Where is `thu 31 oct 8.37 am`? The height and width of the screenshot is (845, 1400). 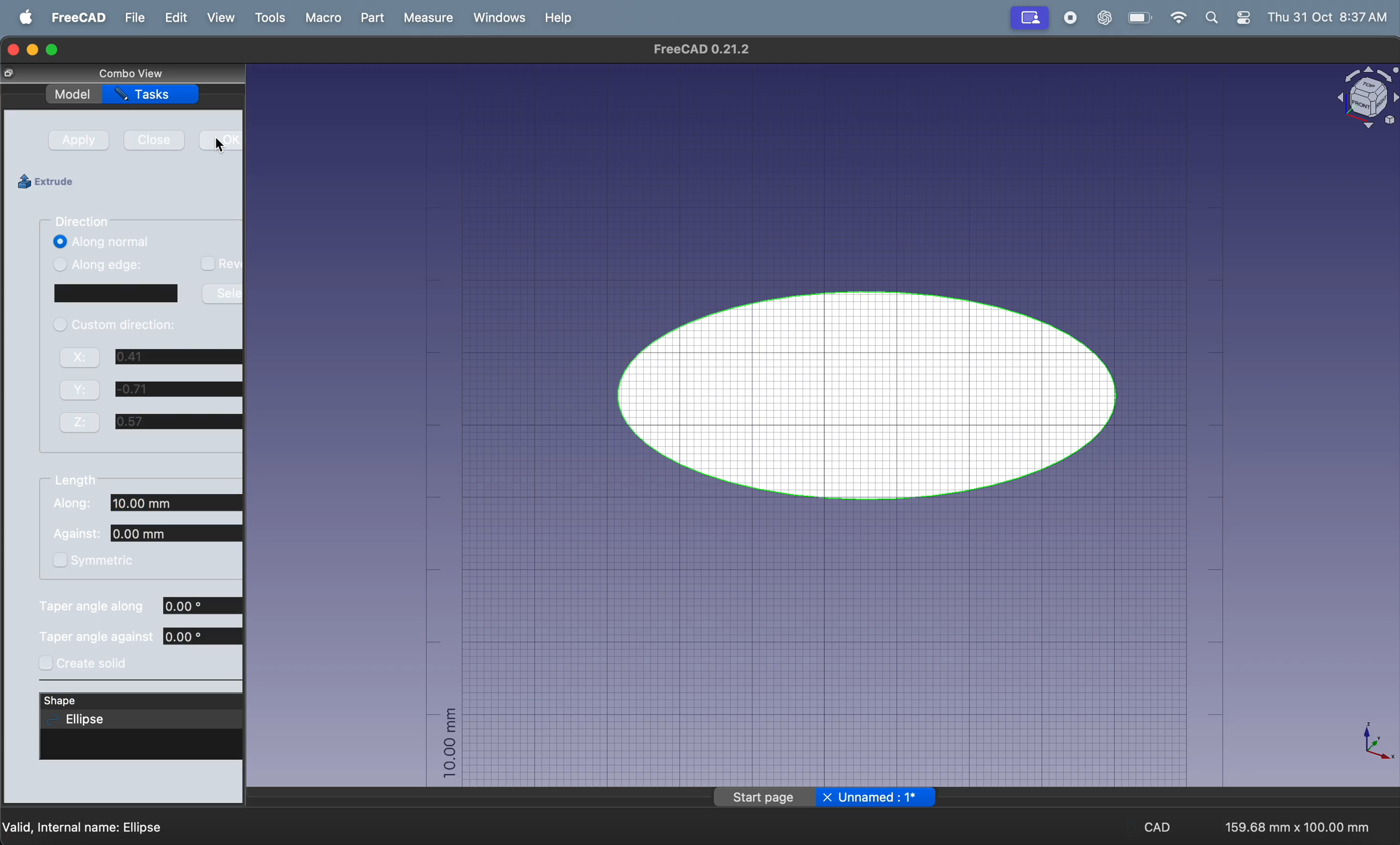
thu 31 oct 8.37 am is located at coordinates (1330, 16).